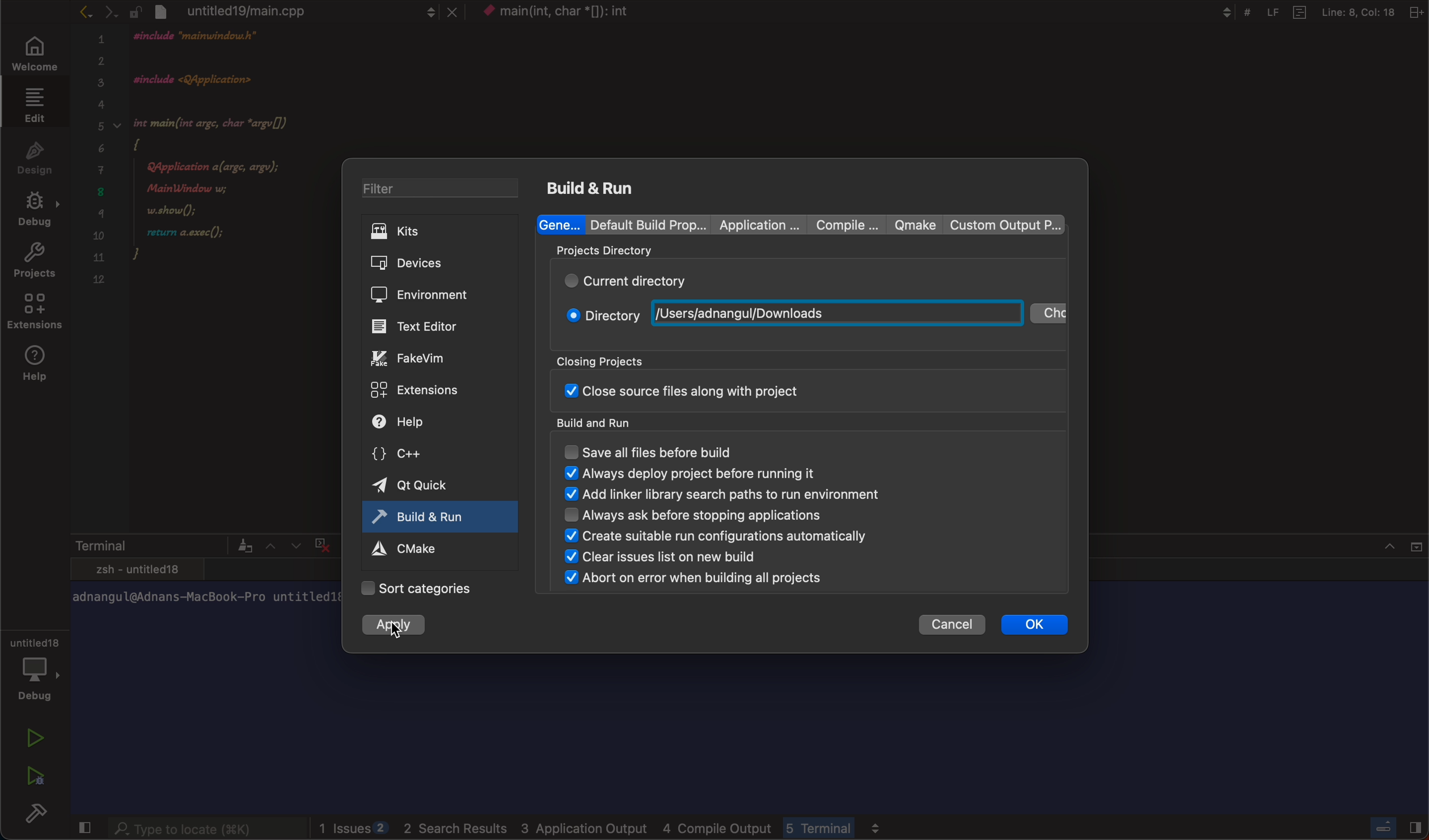 The width and height of the screenshot is (1429, 840). What do you see at coordinates (659, 558) in the screenshot?
I see `clear issues` at bounding box center [659, 558].